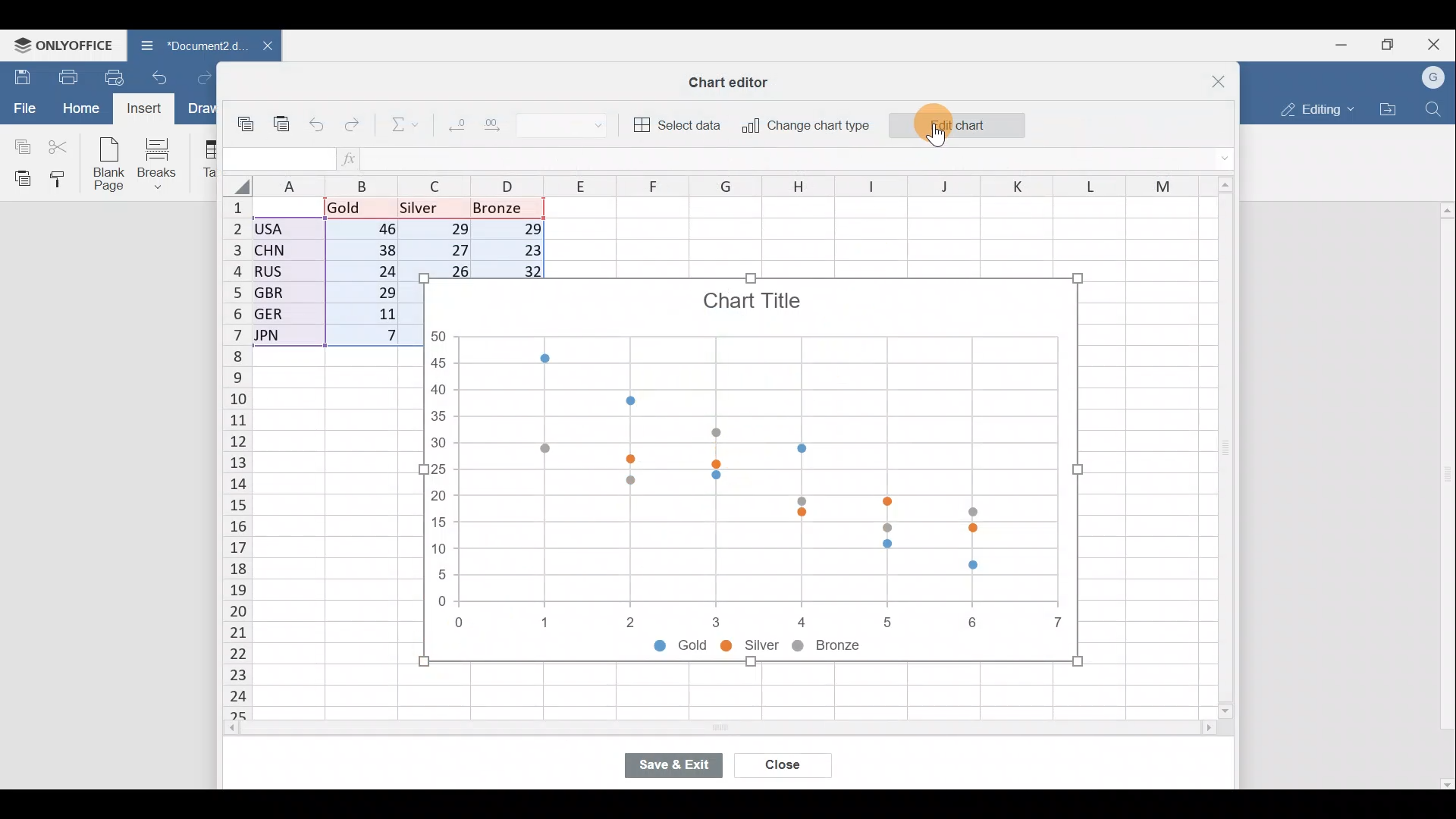 The width and height of the screenshot is (1456, 819). Describe the element at coordinates (277, 155) in the screenshot. I see `Cell name` at that location.